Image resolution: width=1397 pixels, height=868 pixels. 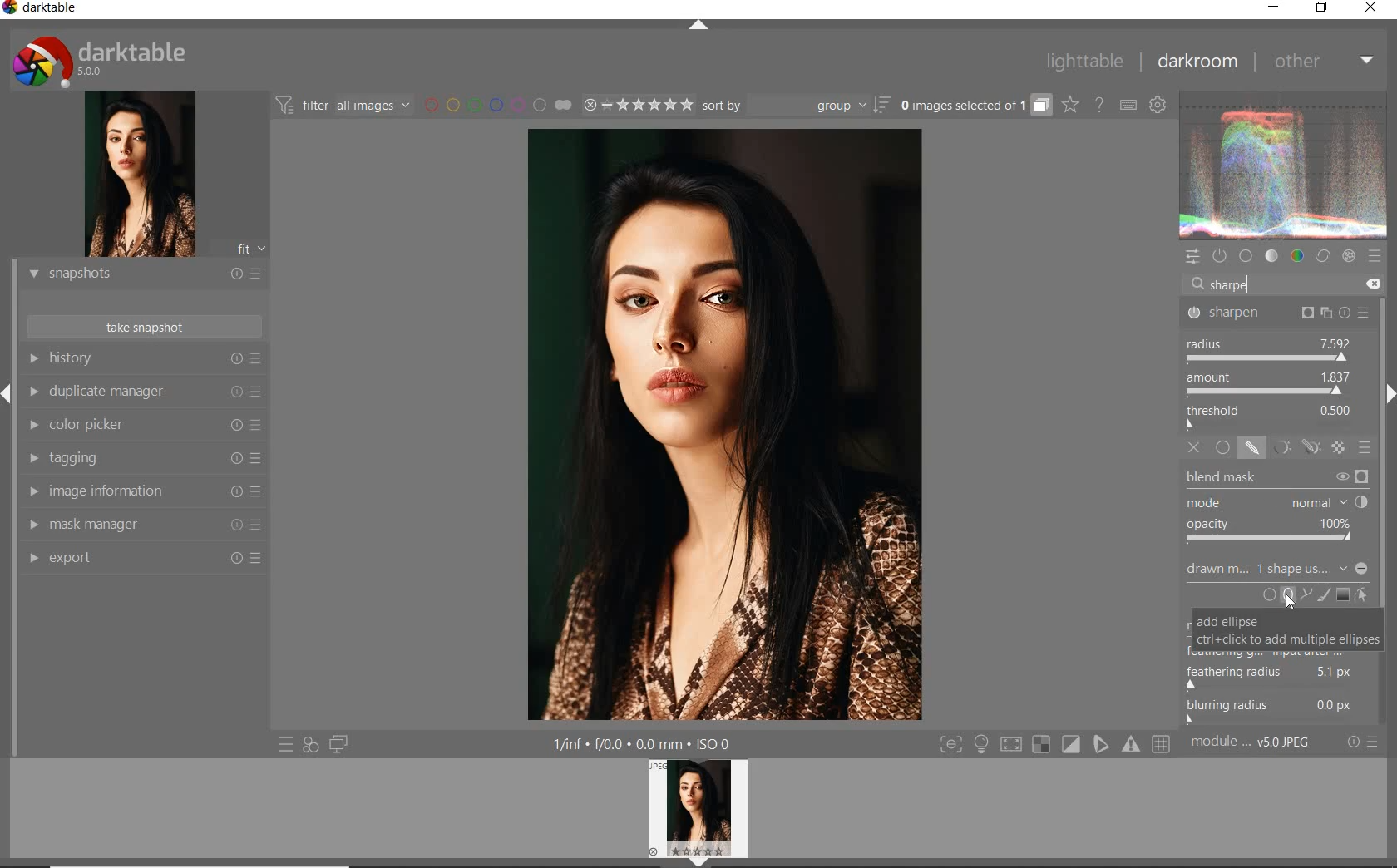 I want to click on THRESHOLD, so click(x=1271, y=416).